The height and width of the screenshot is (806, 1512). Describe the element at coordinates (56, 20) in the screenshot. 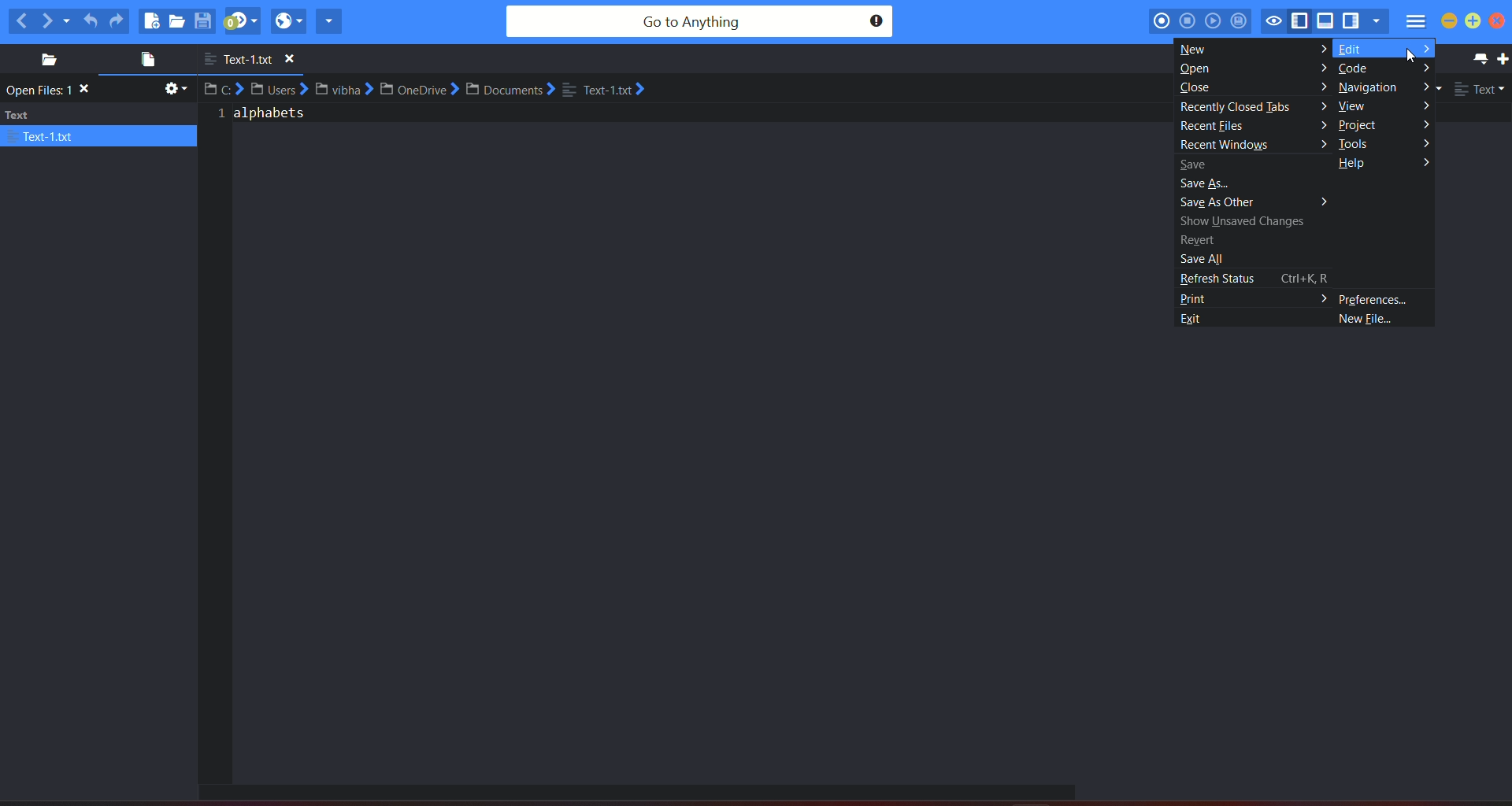

I see `next` at that location.